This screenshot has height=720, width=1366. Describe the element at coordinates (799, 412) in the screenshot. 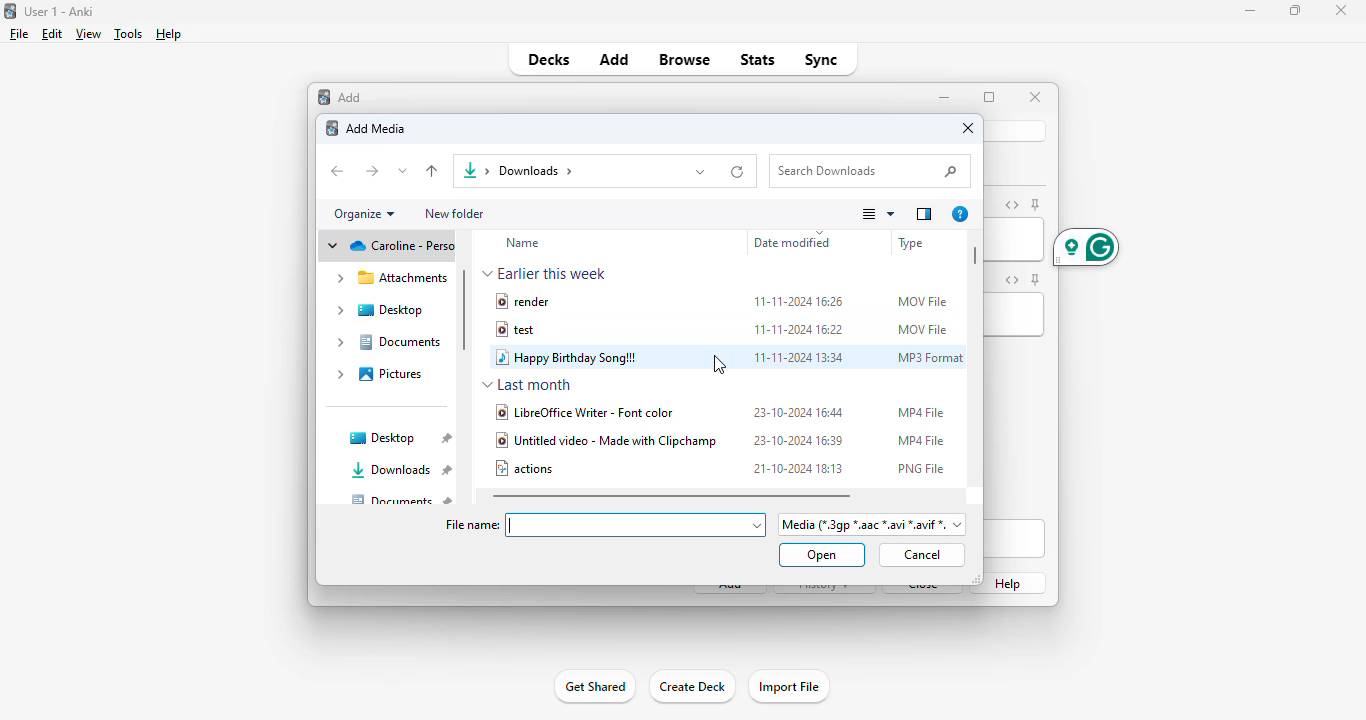

I see `23-10-2024` at that location.